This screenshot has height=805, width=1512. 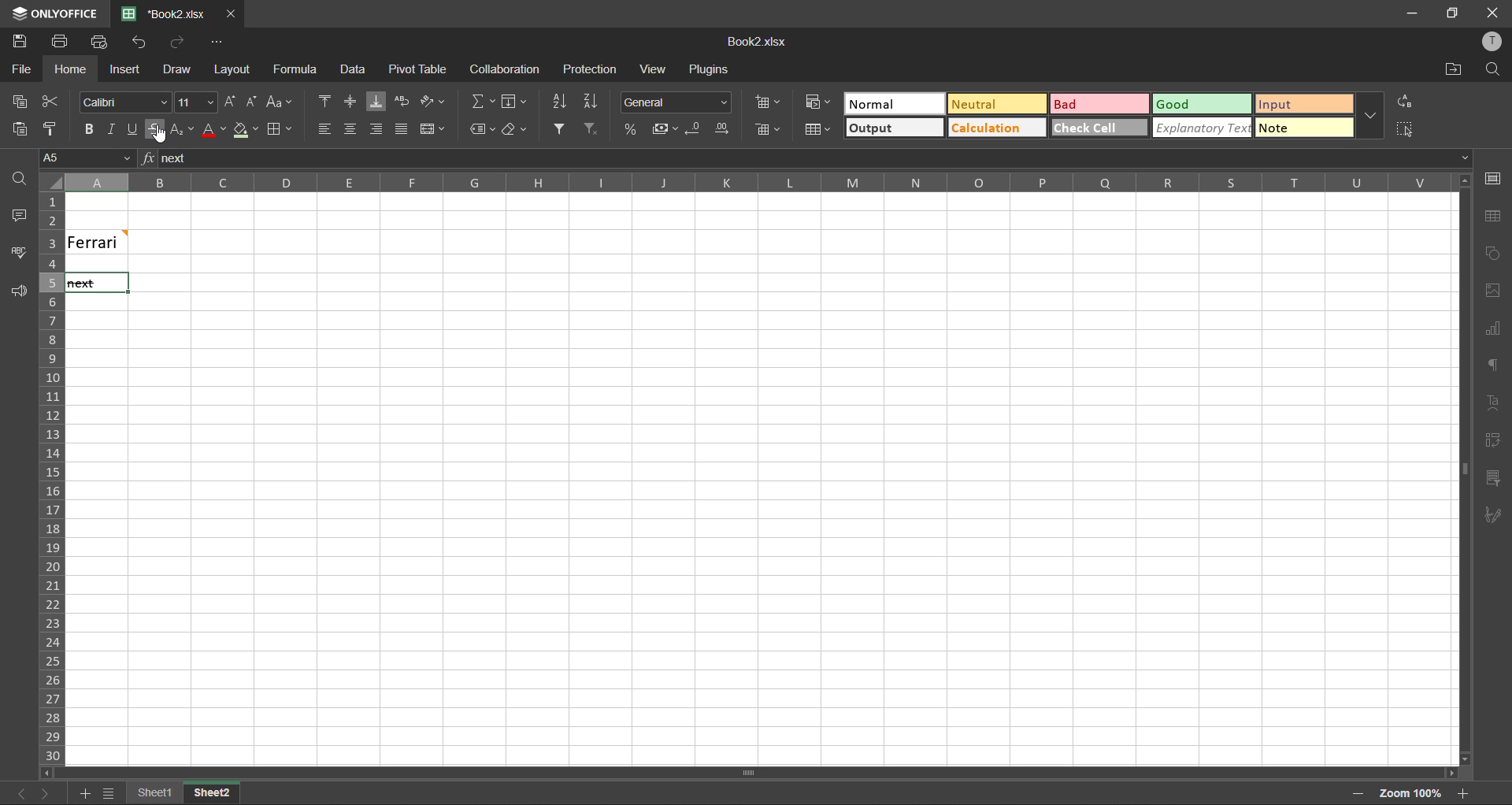 I want to click on fields, so click(x=516, y=102).